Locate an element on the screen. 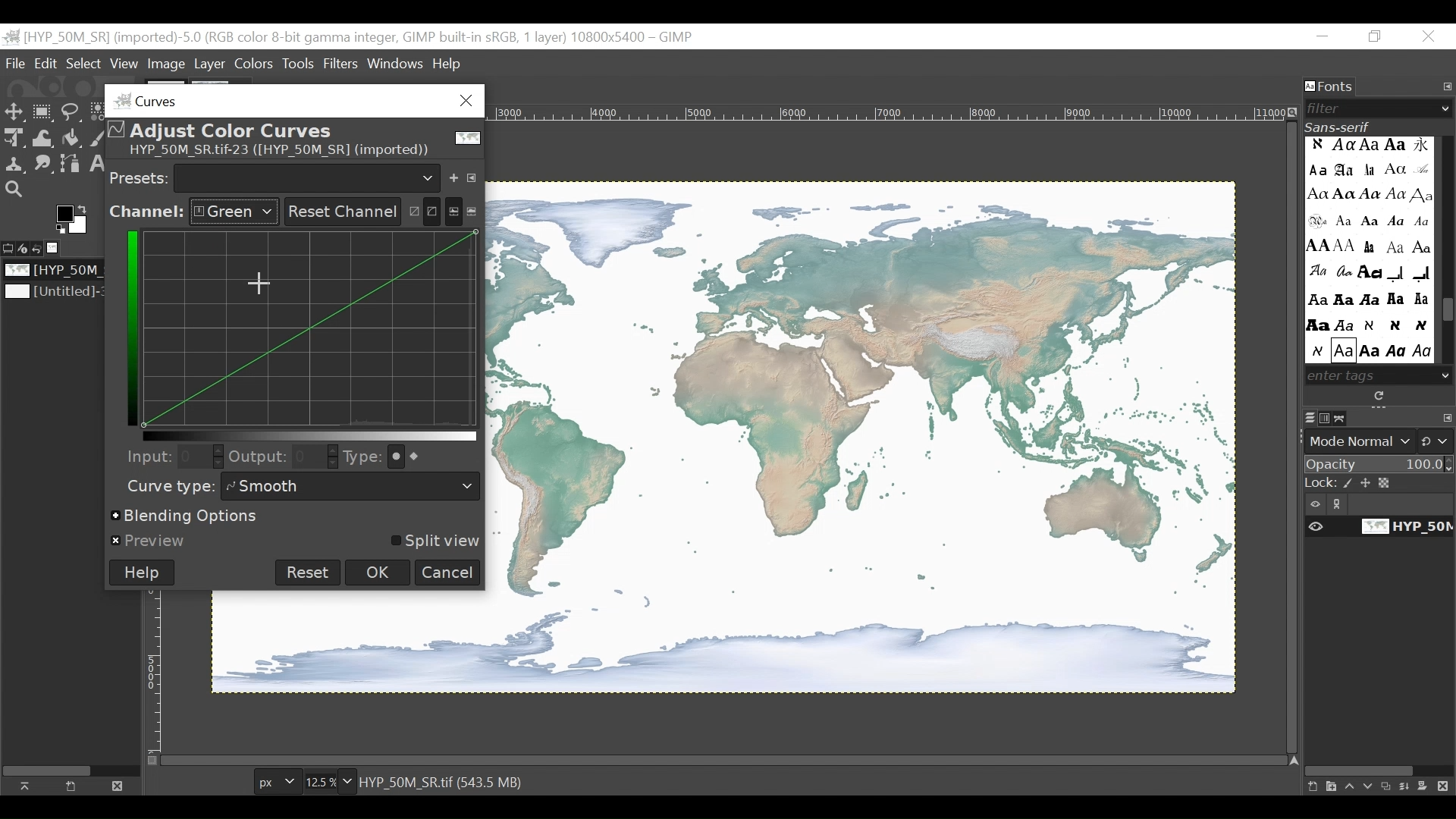 This screenshot has height=819, width=1456. Close is located at coordinates (115, 785).